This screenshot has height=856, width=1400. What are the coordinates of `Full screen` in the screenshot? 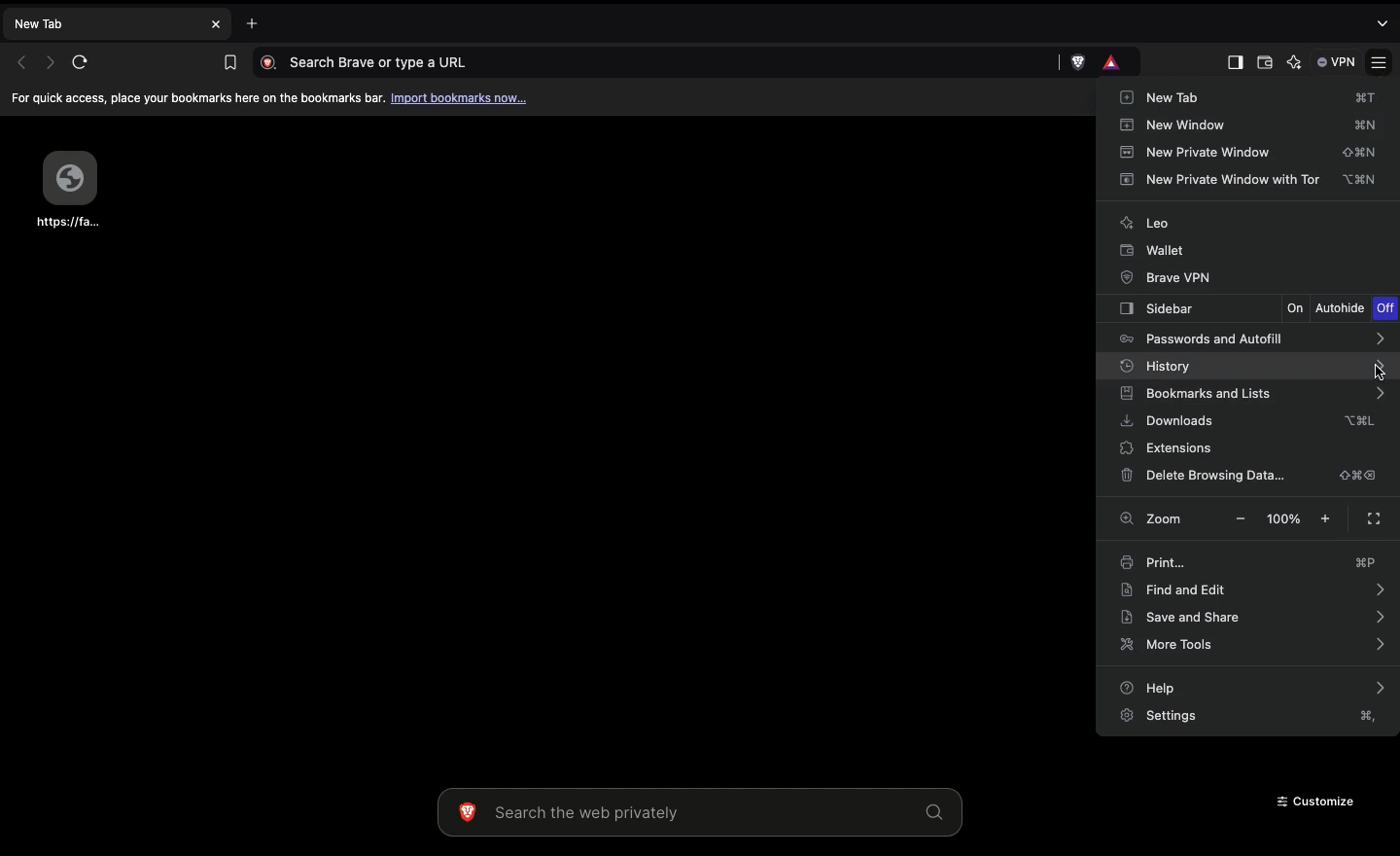 It's located at (1365, 517).